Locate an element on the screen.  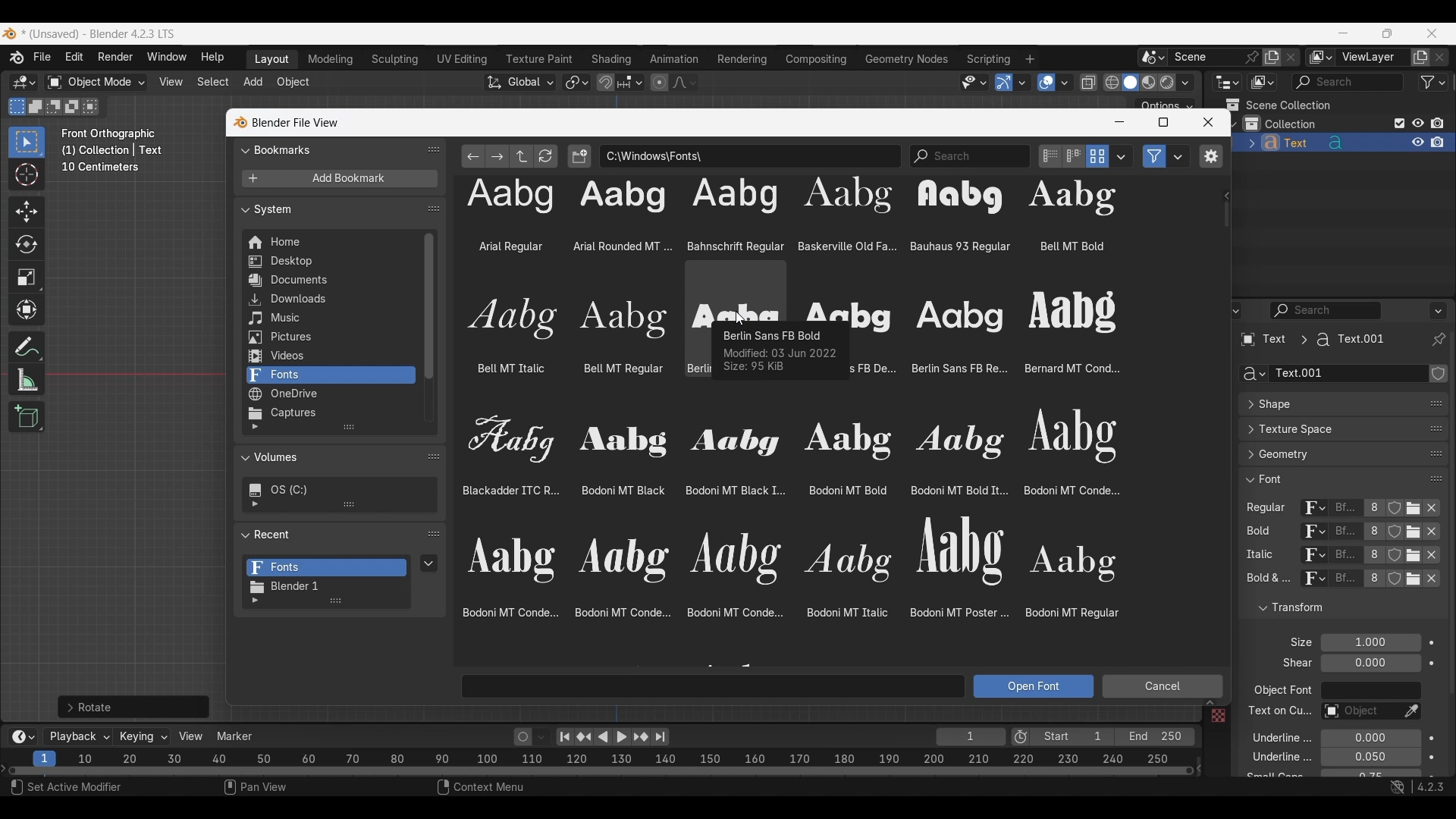
For further rotation is located at coordinates (133, 707).